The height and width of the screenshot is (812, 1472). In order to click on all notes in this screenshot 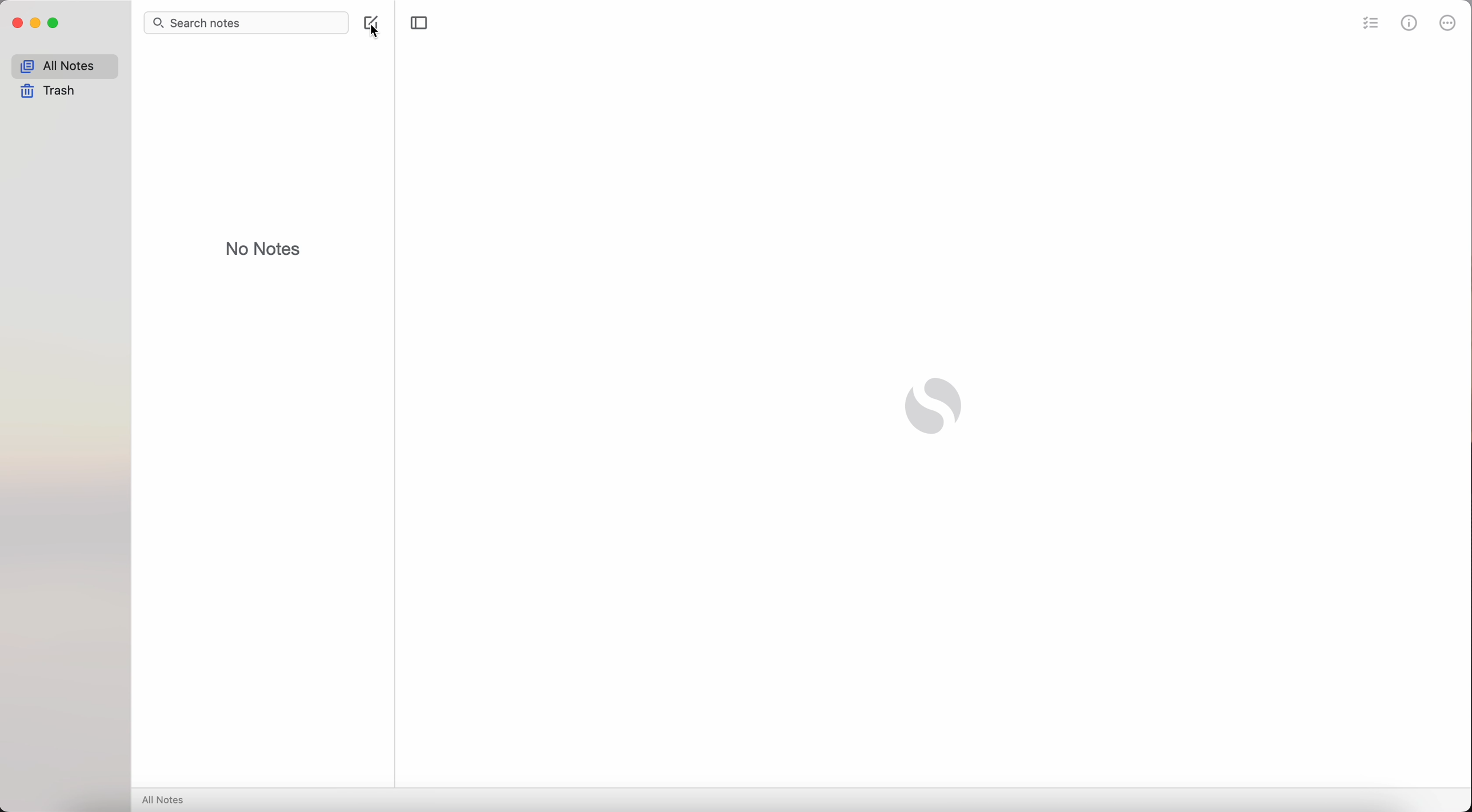, I will do `click(167, 801)`.